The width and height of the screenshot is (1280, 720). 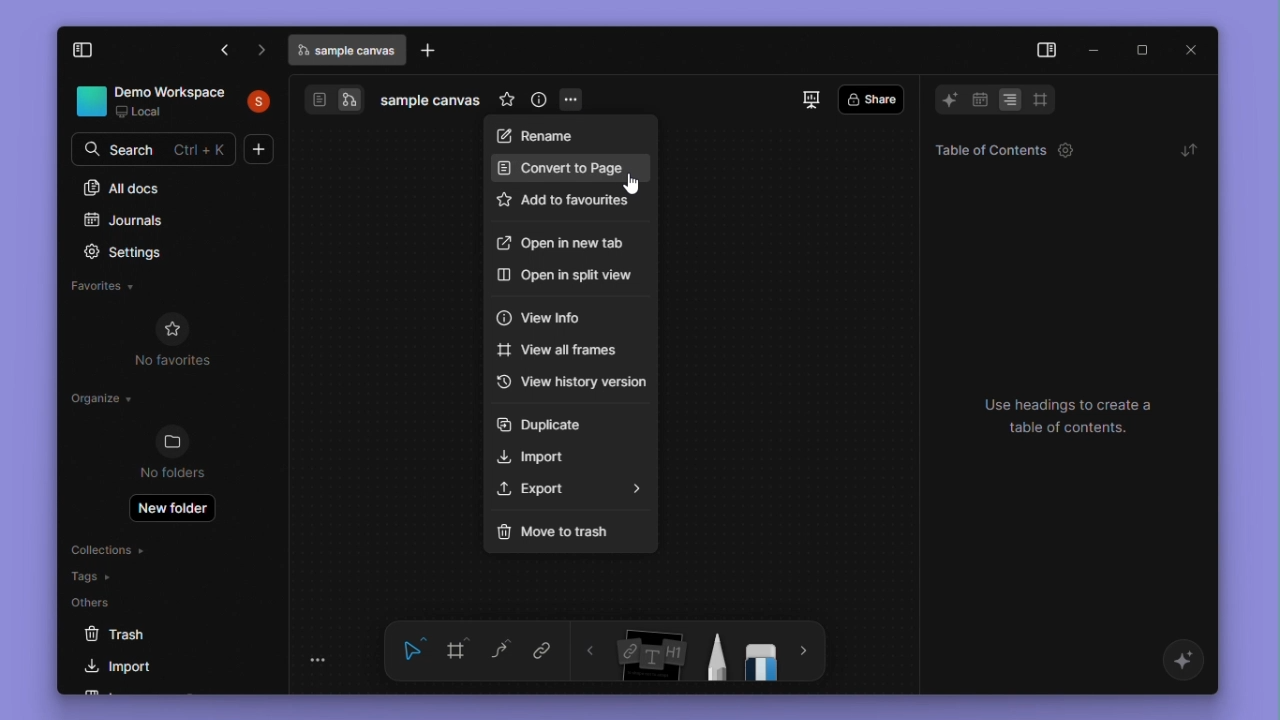 I want to click on table of contents, so click(x=998, y=149).